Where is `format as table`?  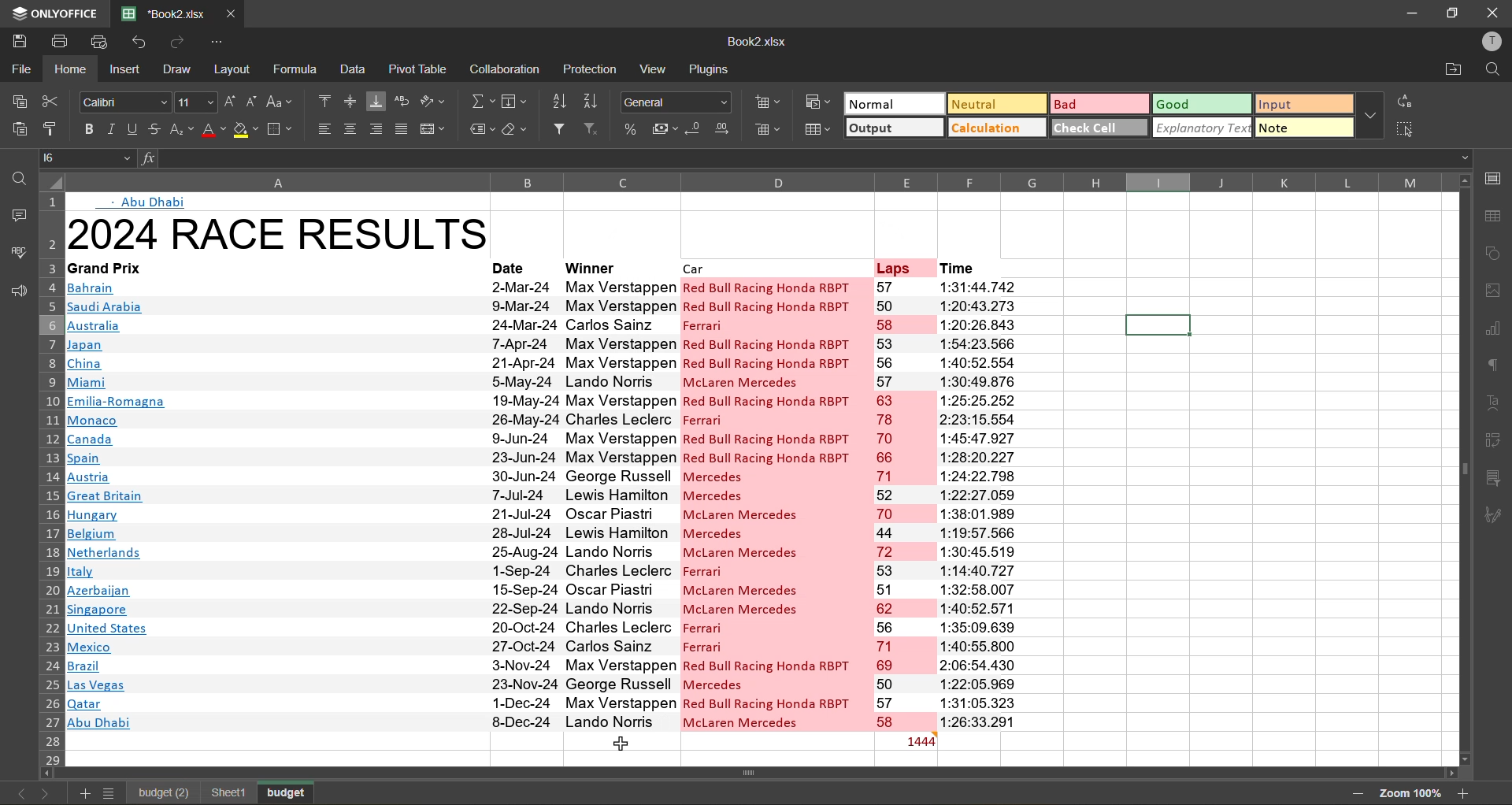
format as table is located at coordinates (819, 129).